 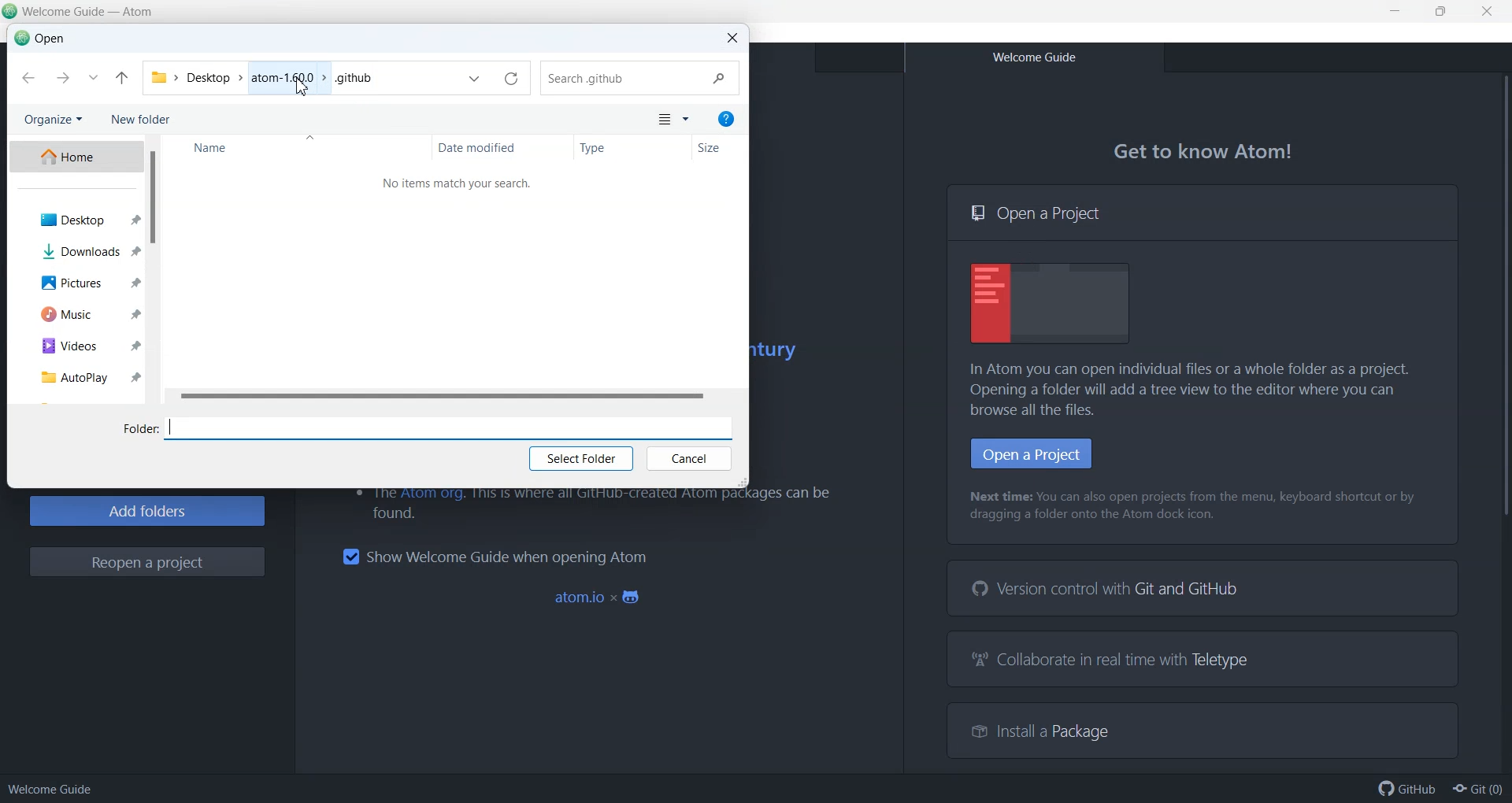 I want to click on Reload, so click(x=510, y=80).